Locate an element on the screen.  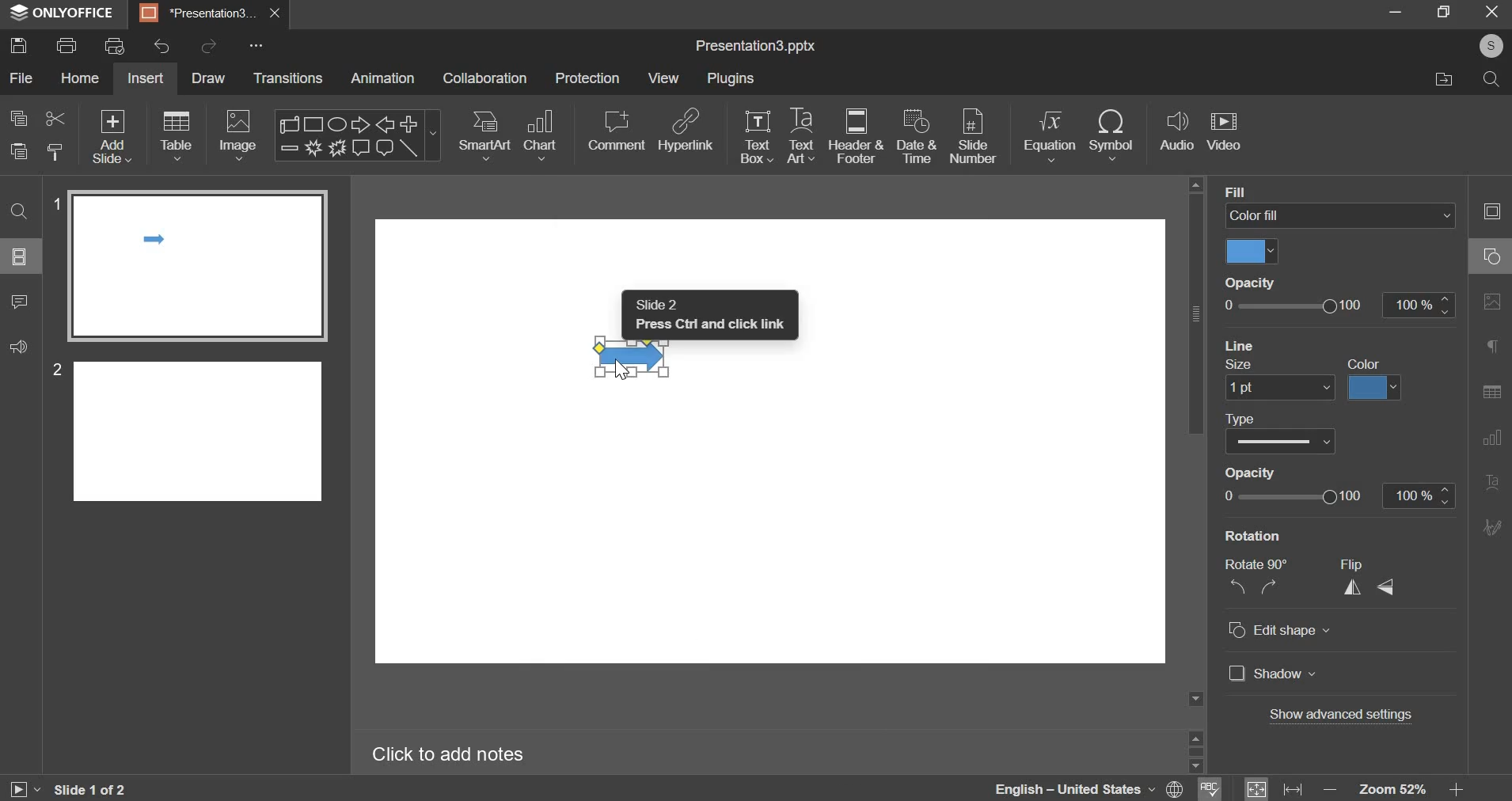
Presentation3 is located at coordinates (195, 16).